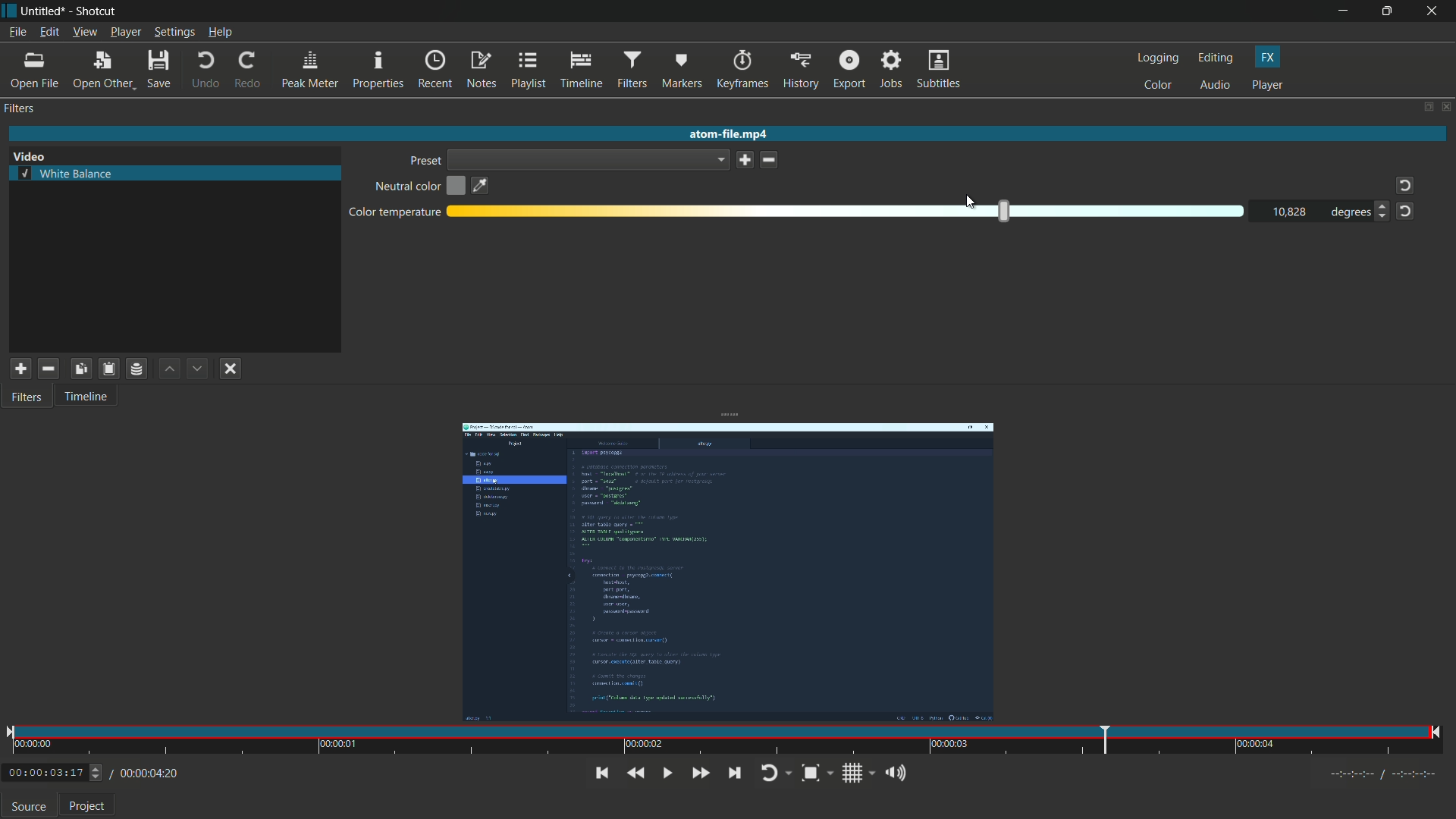  Describe the element at coordinates (1447, 106) in the screenshot. I see `close panel` at that location.